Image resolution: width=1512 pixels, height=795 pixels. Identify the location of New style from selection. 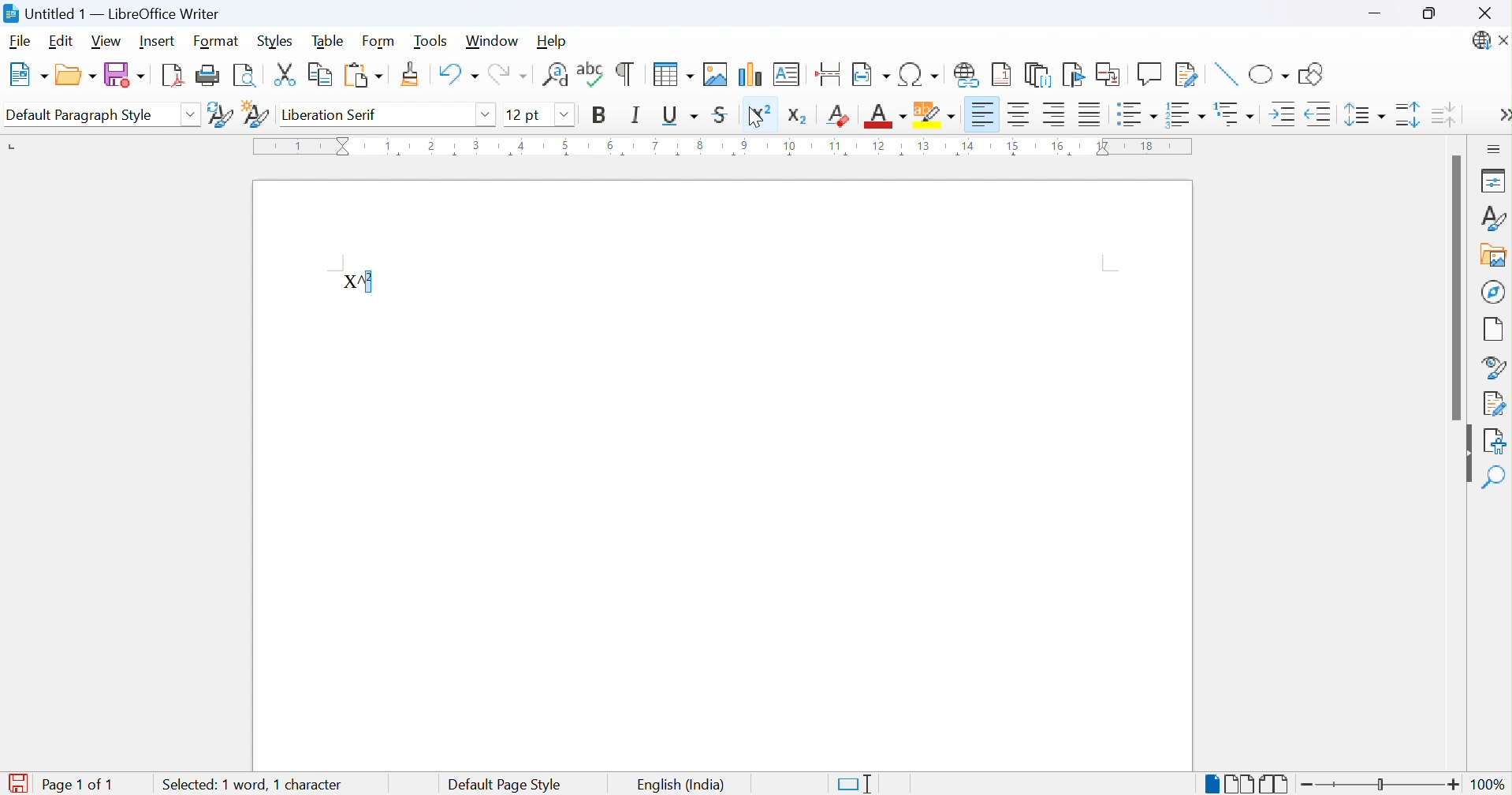
(257, 114).